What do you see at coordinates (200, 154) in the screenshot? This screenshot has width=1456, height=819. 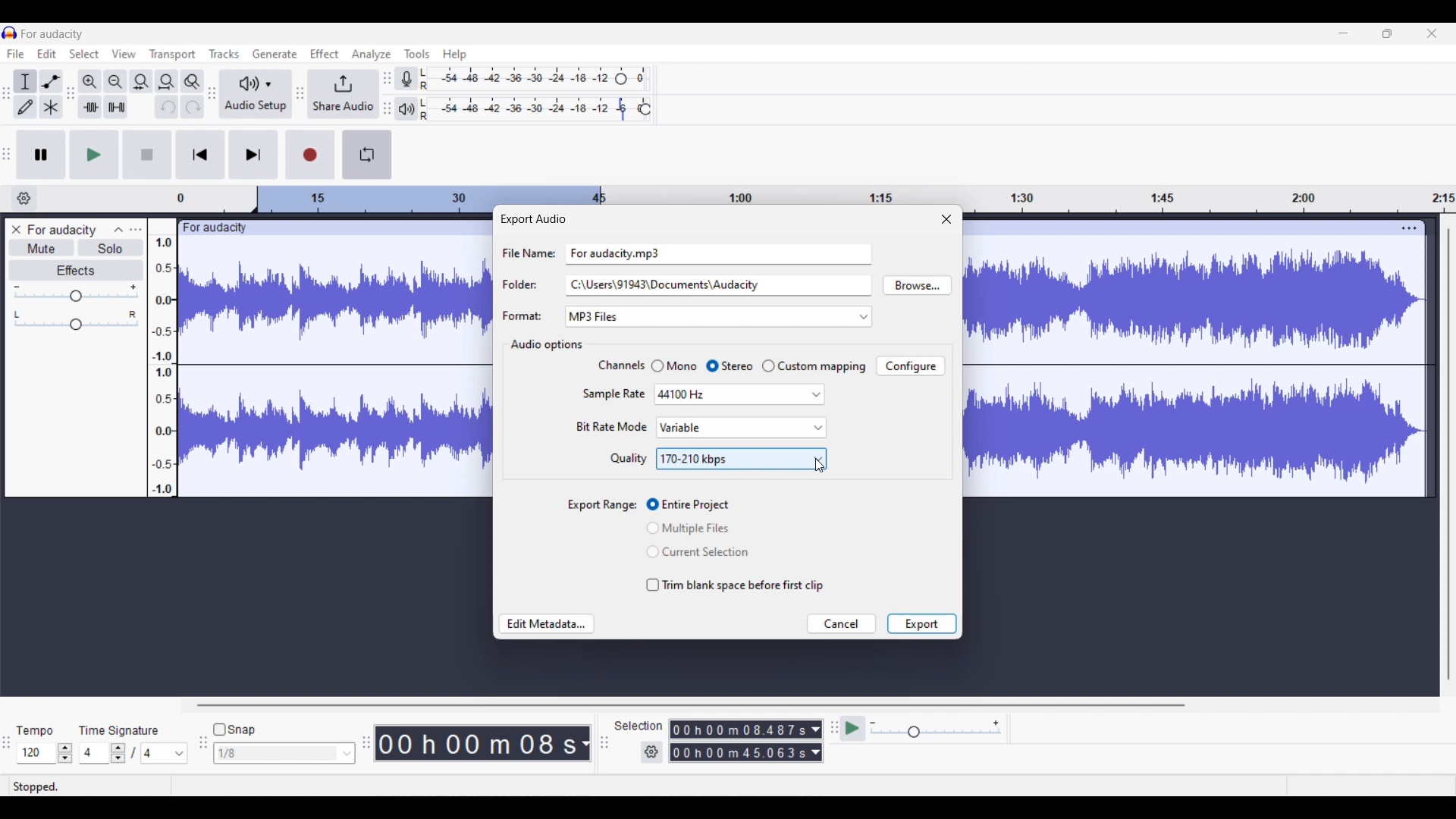 I see `Skip/Select to start` at bounding box center [200, 154].